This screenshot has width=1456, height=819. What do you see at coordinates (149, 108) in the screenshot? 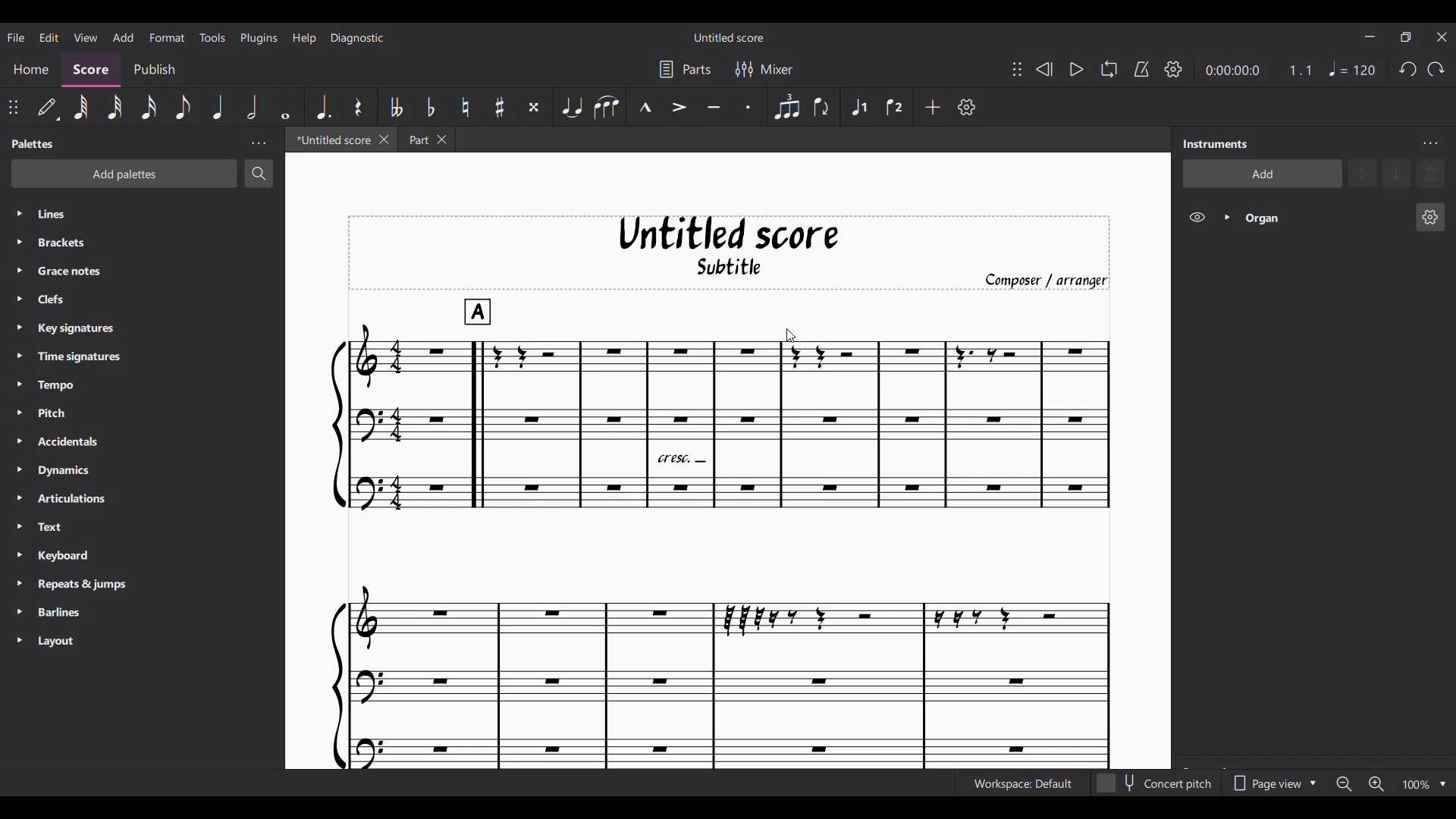
I see `16th note` at bounding box center [149, 108].